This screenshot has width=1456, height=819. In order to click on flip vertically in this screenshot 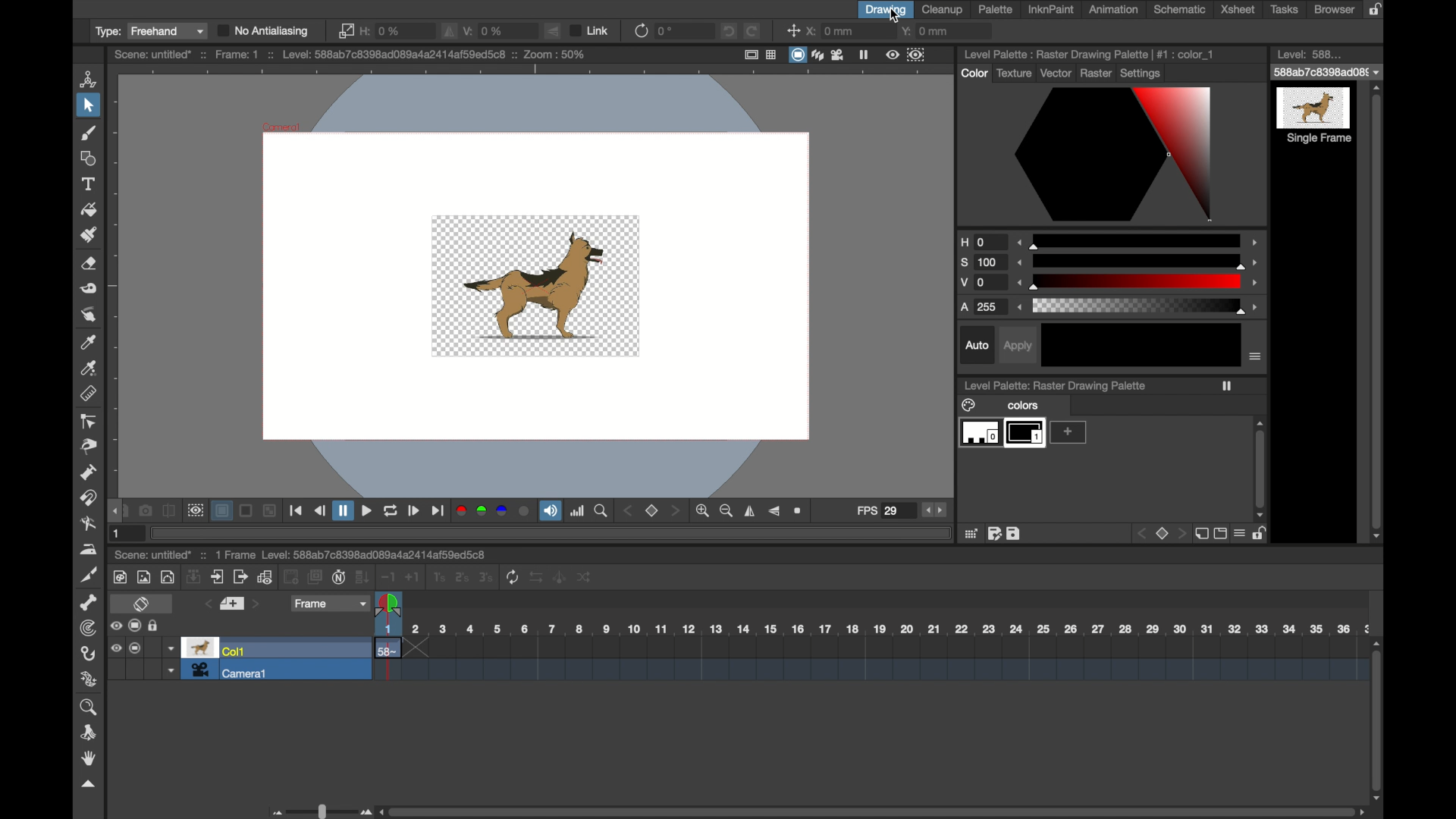, I will do `click(552, 30)`.